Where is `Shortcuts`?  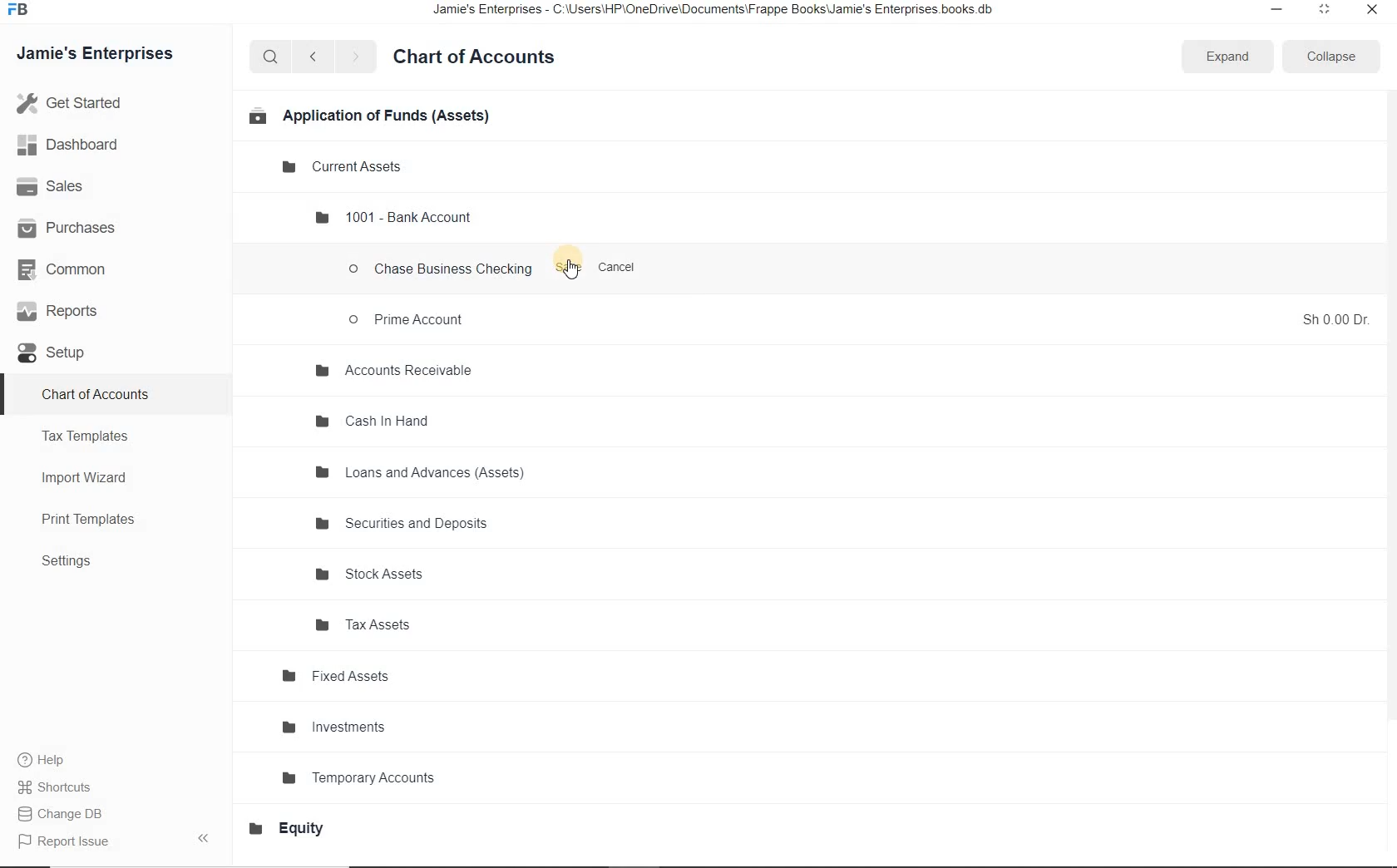
Shortcuts is located at coordinates (57, 787).